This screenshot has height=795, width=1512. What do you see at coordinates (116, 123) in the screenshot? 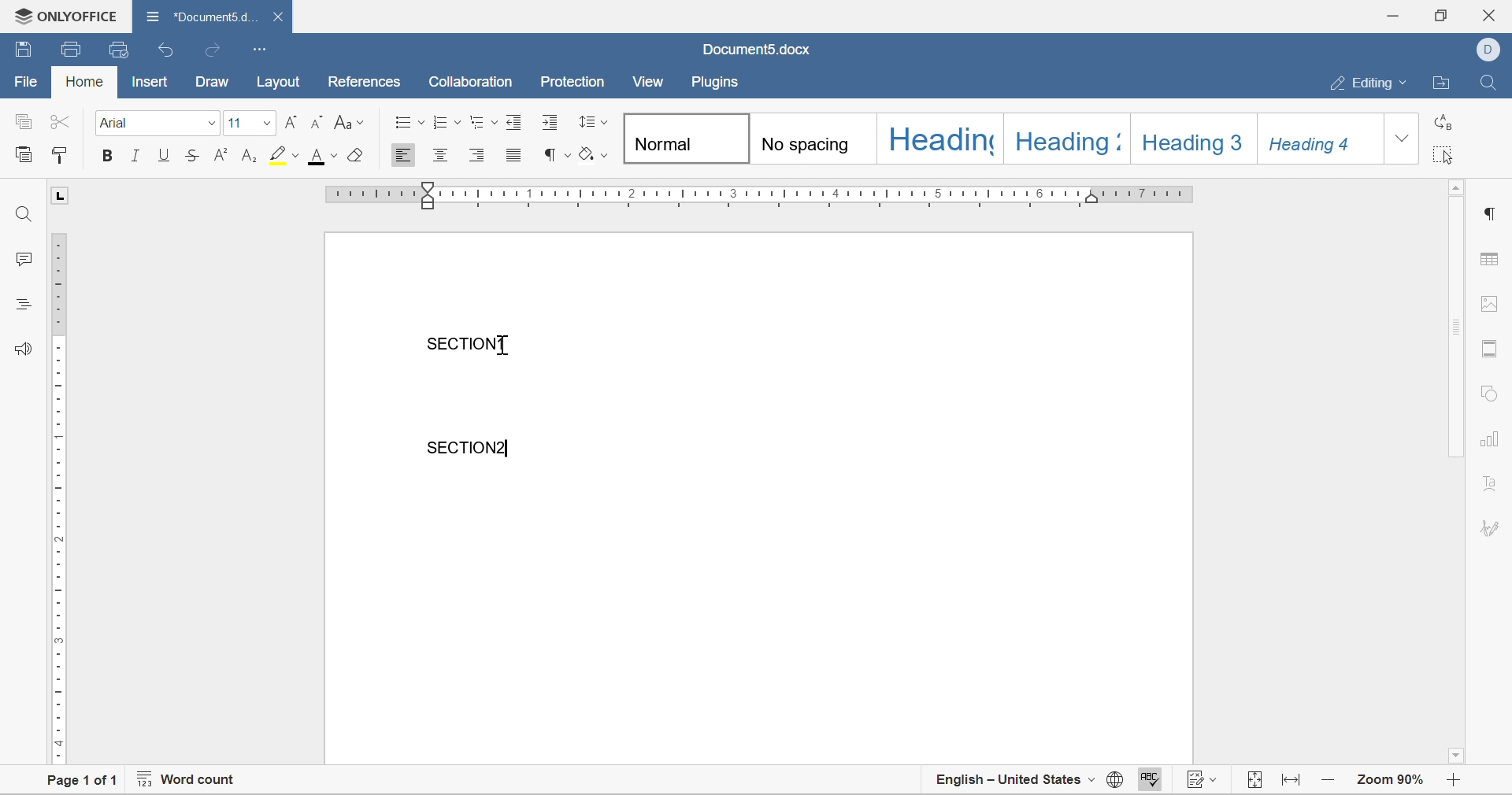
I see `font` at bounding box center [116, 123].